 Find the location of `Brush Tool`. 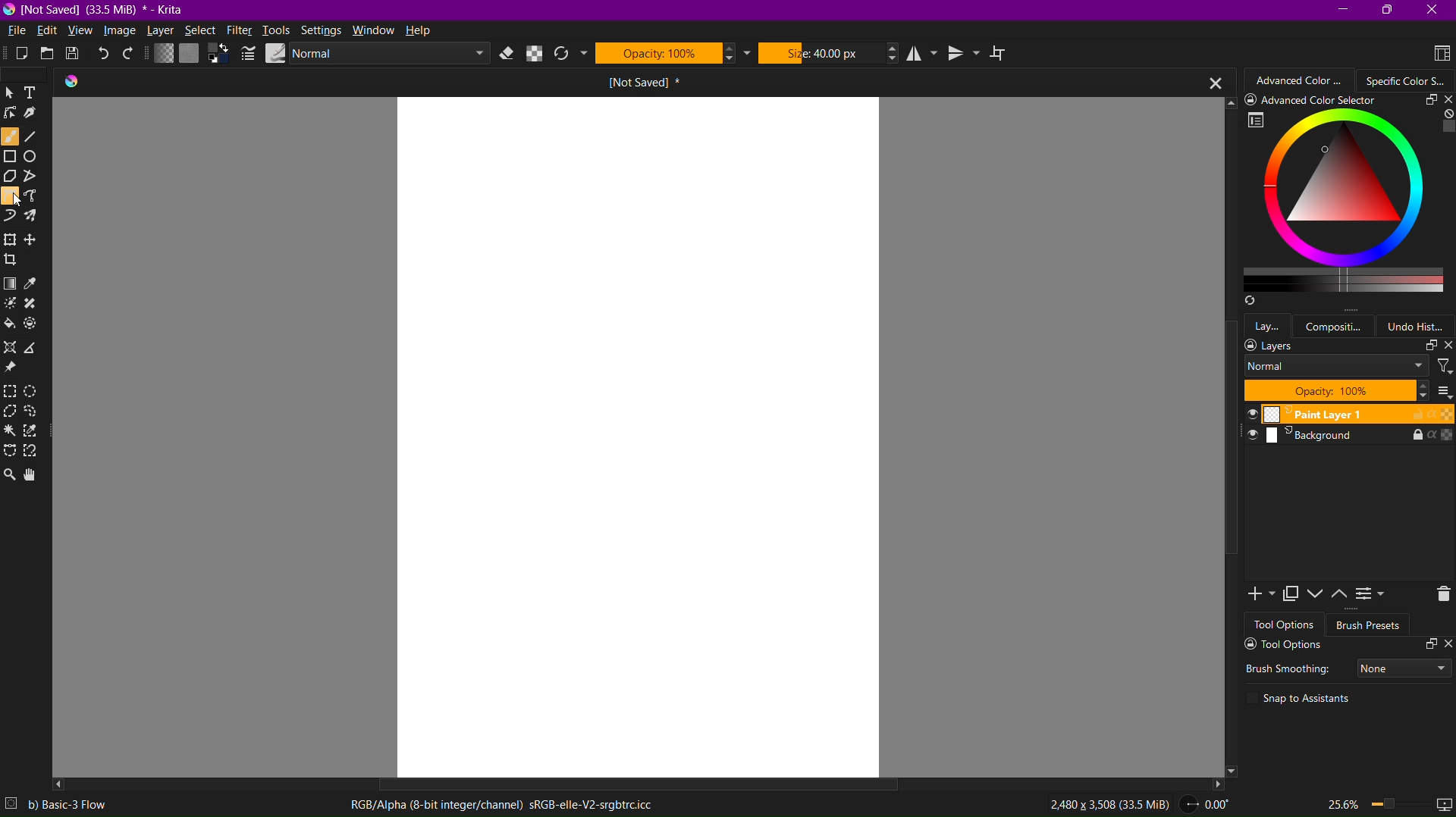

Brush Tool is located at coordinates (11, 138).